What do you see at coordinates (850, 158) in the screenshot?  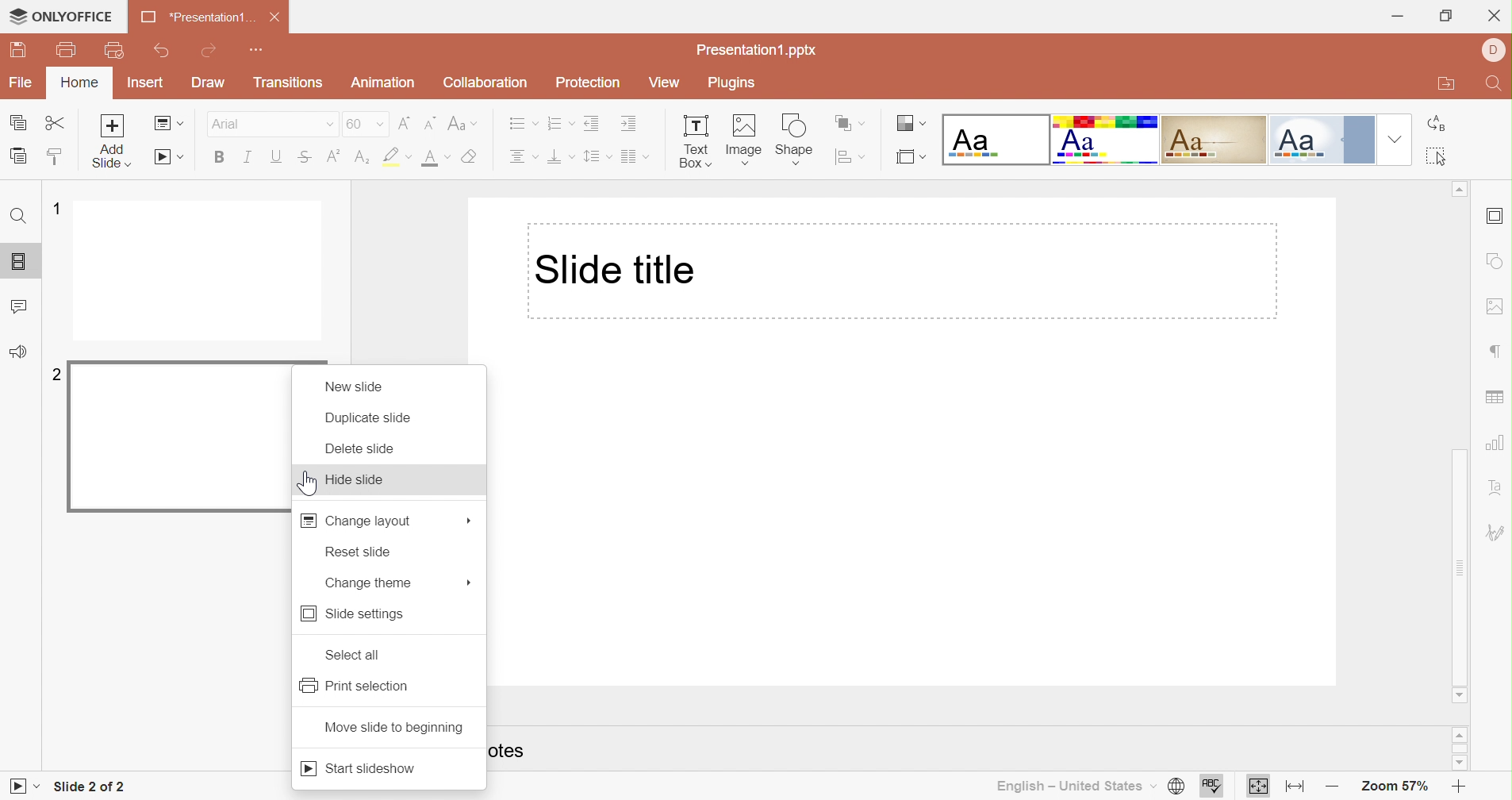 I see `Align shape` at bounding box center [850, 158].